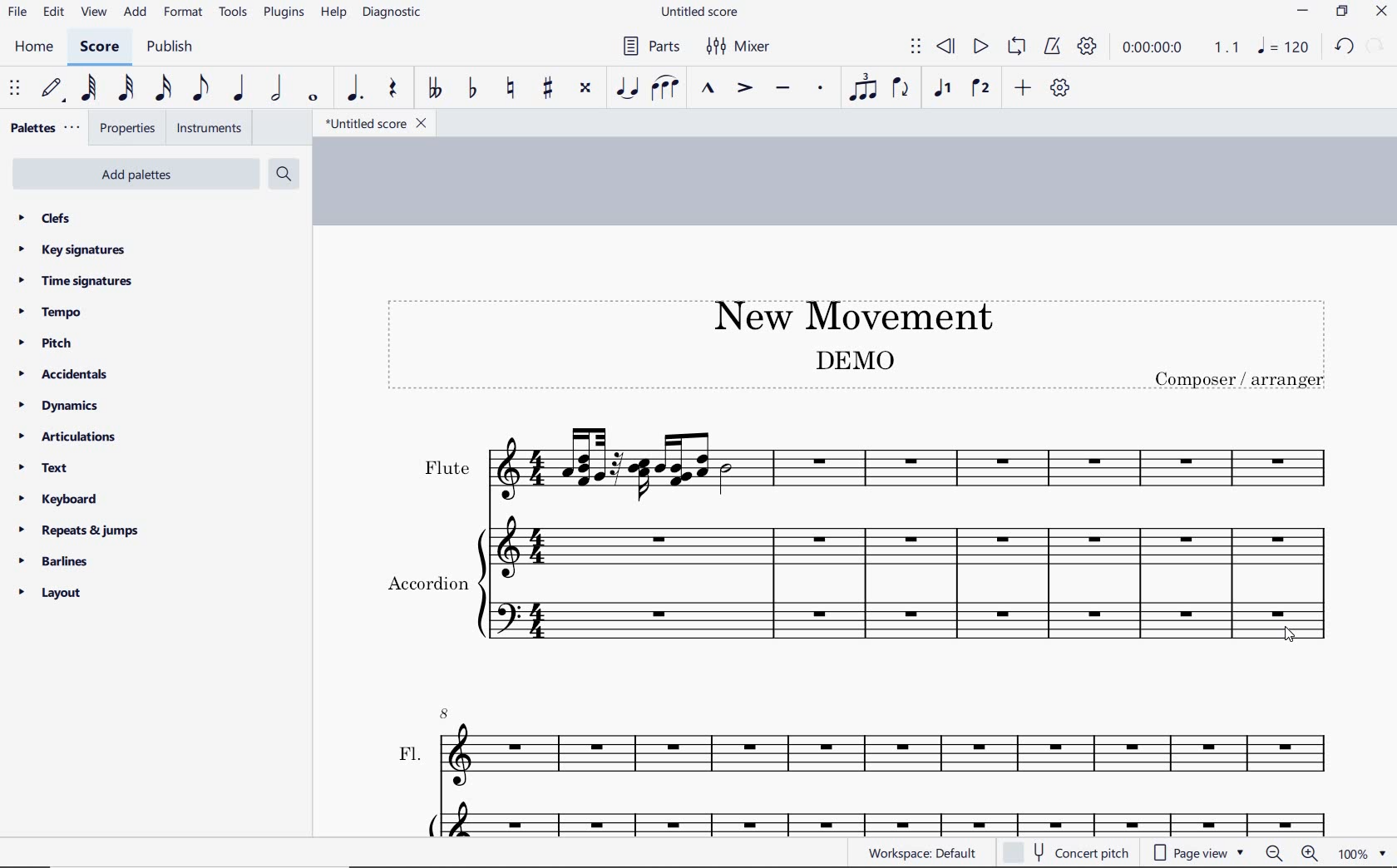 The height and width of the screenshot is (868, 1397). Describe the element at coordinates (782, 89) in the screenshot. I see `tenuto` at that location.